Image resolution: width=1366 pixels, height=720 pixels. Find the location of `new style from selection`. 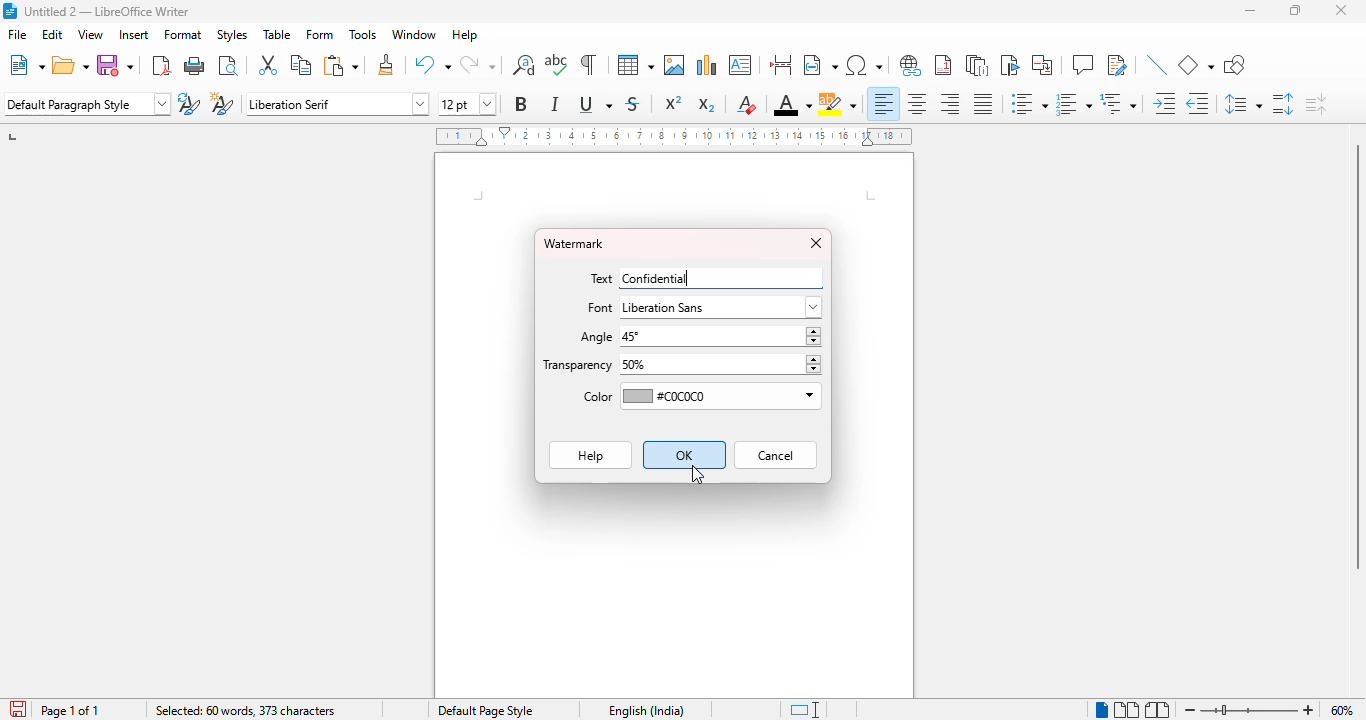

new style from selection is located at coordinates (220, 104).